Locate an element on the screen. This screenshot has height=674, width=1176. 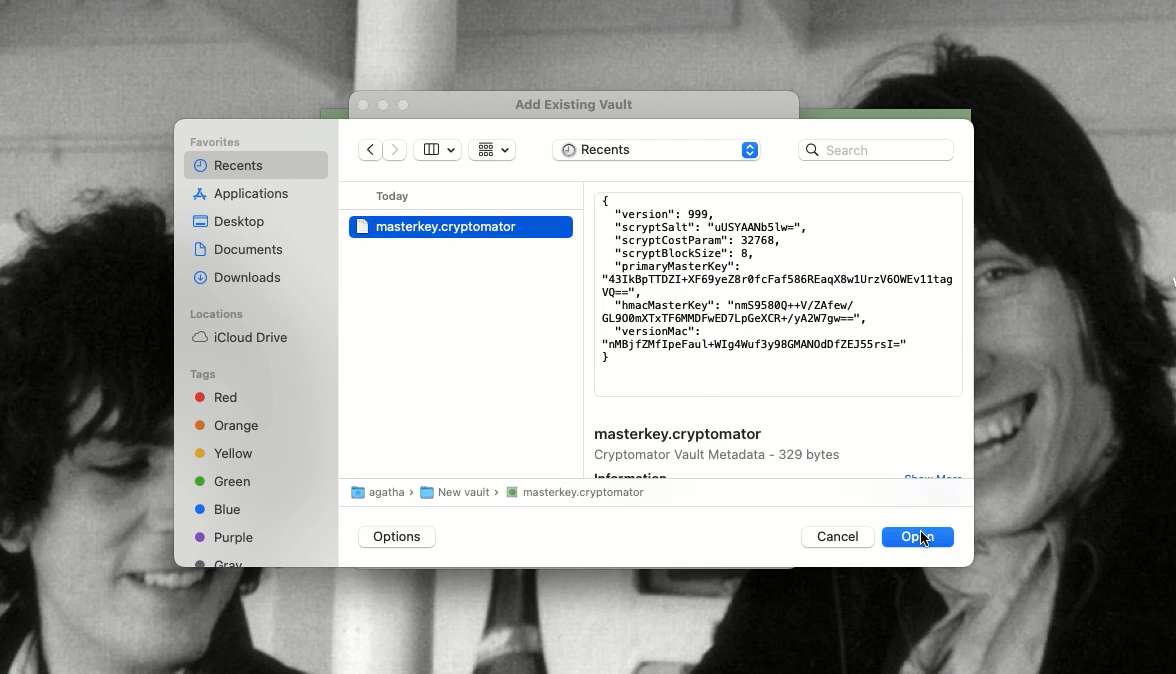
Today is located at coordinates (397, 196).